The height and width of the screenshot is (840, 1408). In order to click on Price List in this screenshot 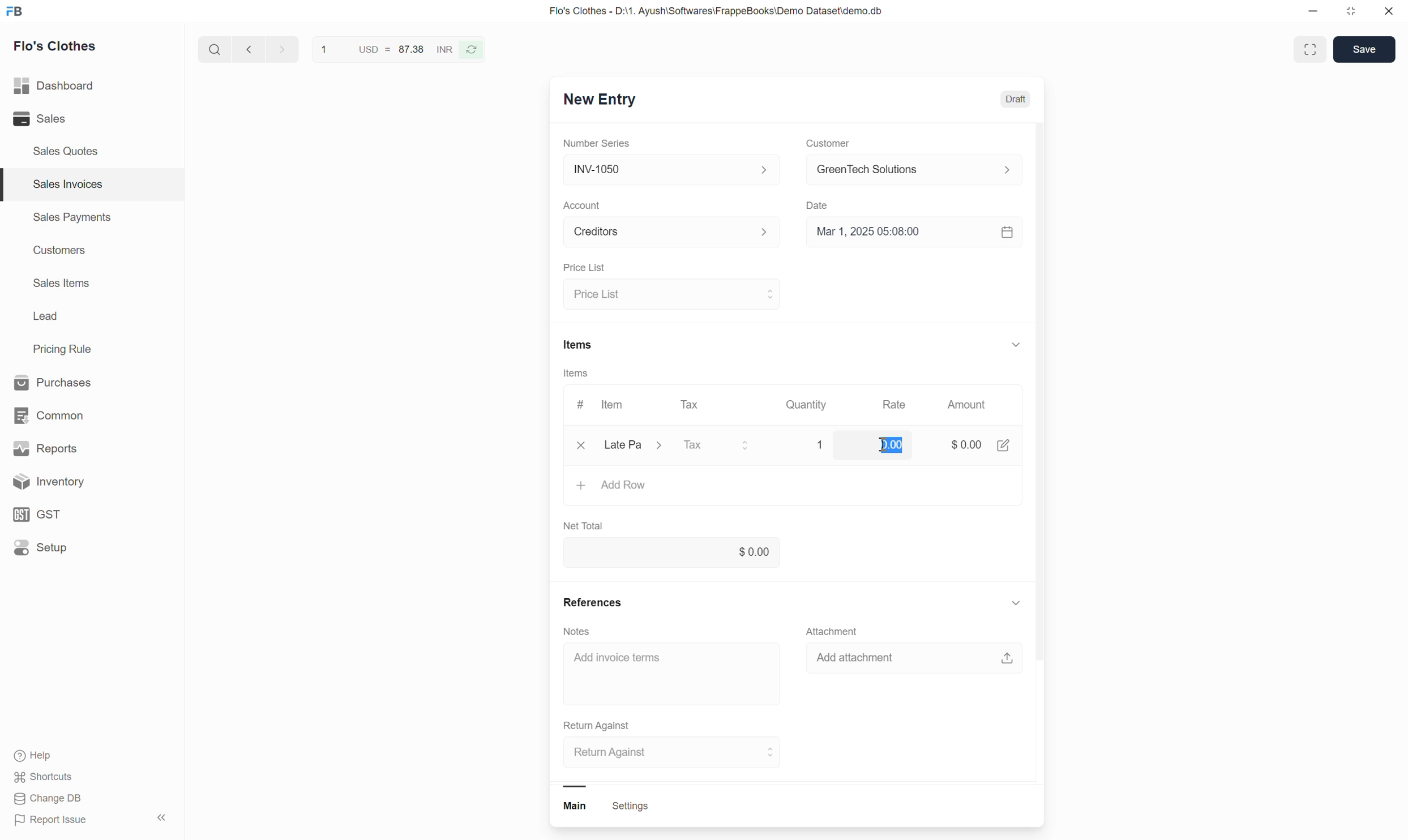, I will do `click(582, 268)`.